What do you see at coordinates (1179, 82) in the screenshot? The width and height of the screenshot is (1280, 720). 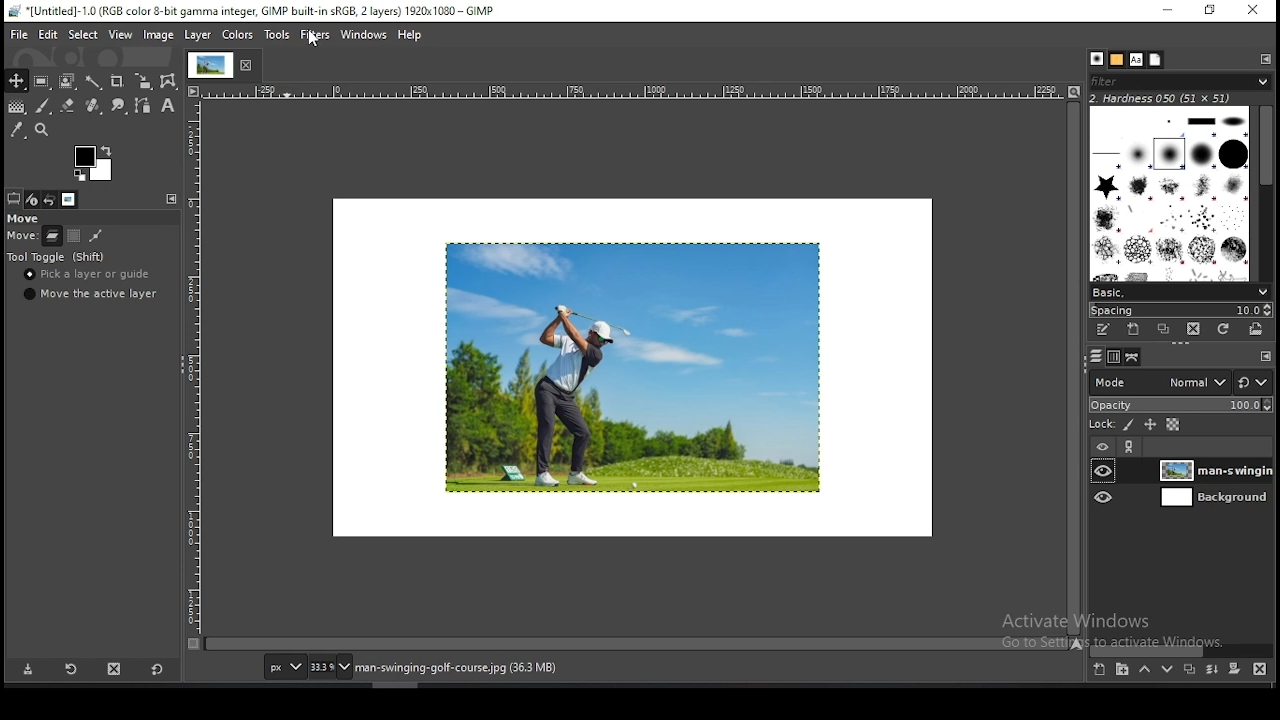 I see `filter brushes` at bounding box center [1179, 82].